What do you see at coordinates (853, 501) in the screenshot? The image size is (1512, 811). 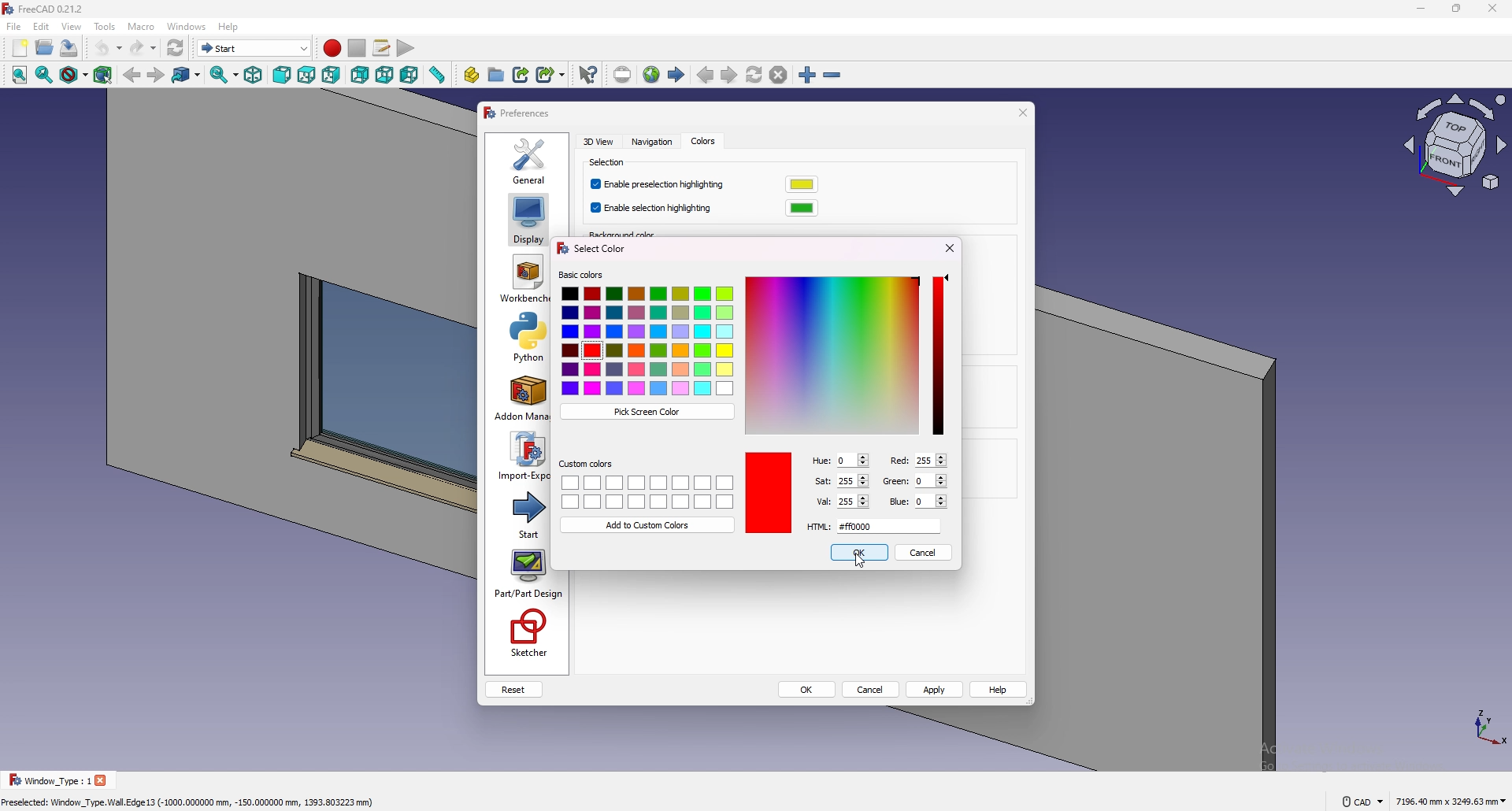 I see `101%` at bounding box center [853, 501].